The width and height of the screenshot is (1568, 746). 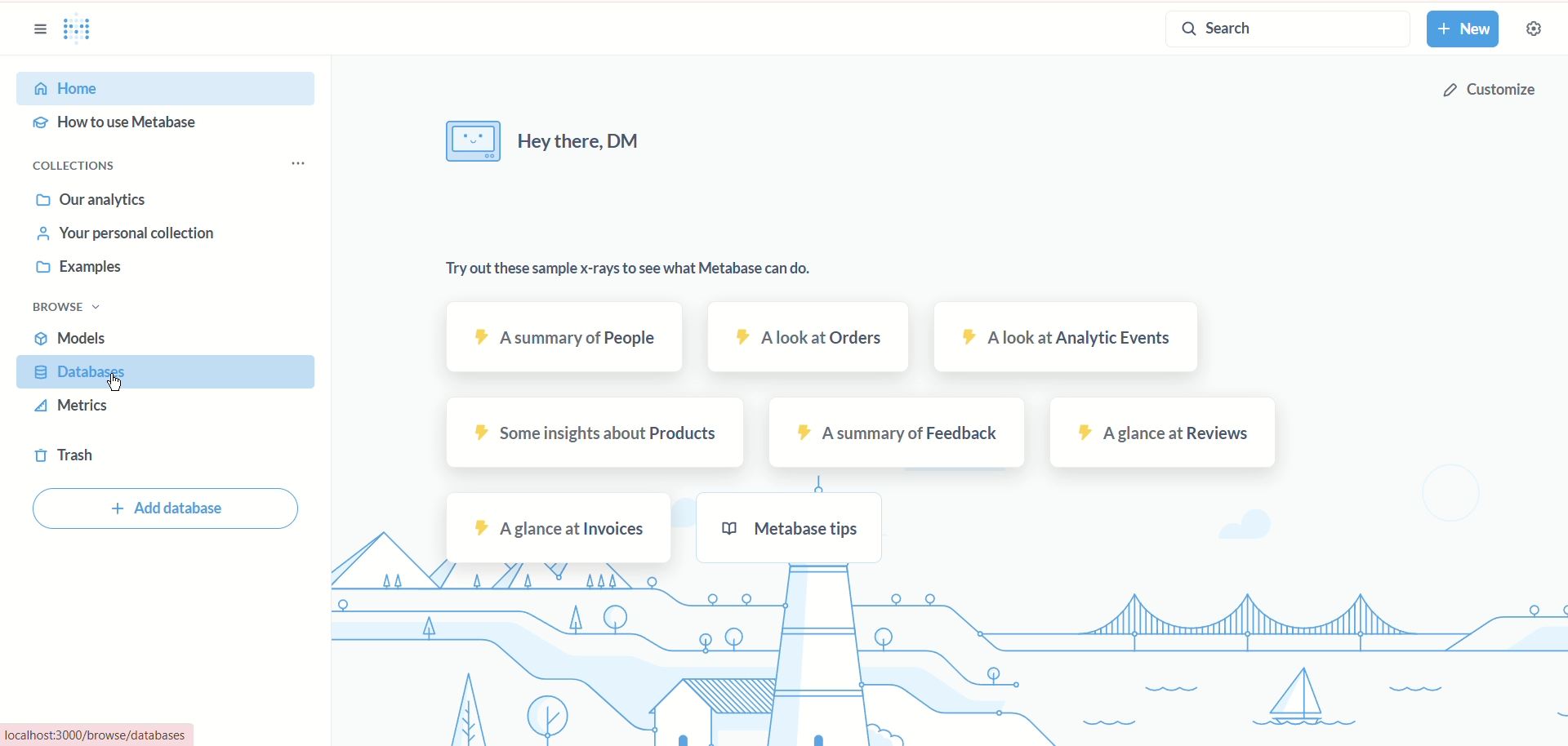 What do you see at coordinates (70, 406) in the screenshot?
I see `metrics` at bounding box center [70, 406].